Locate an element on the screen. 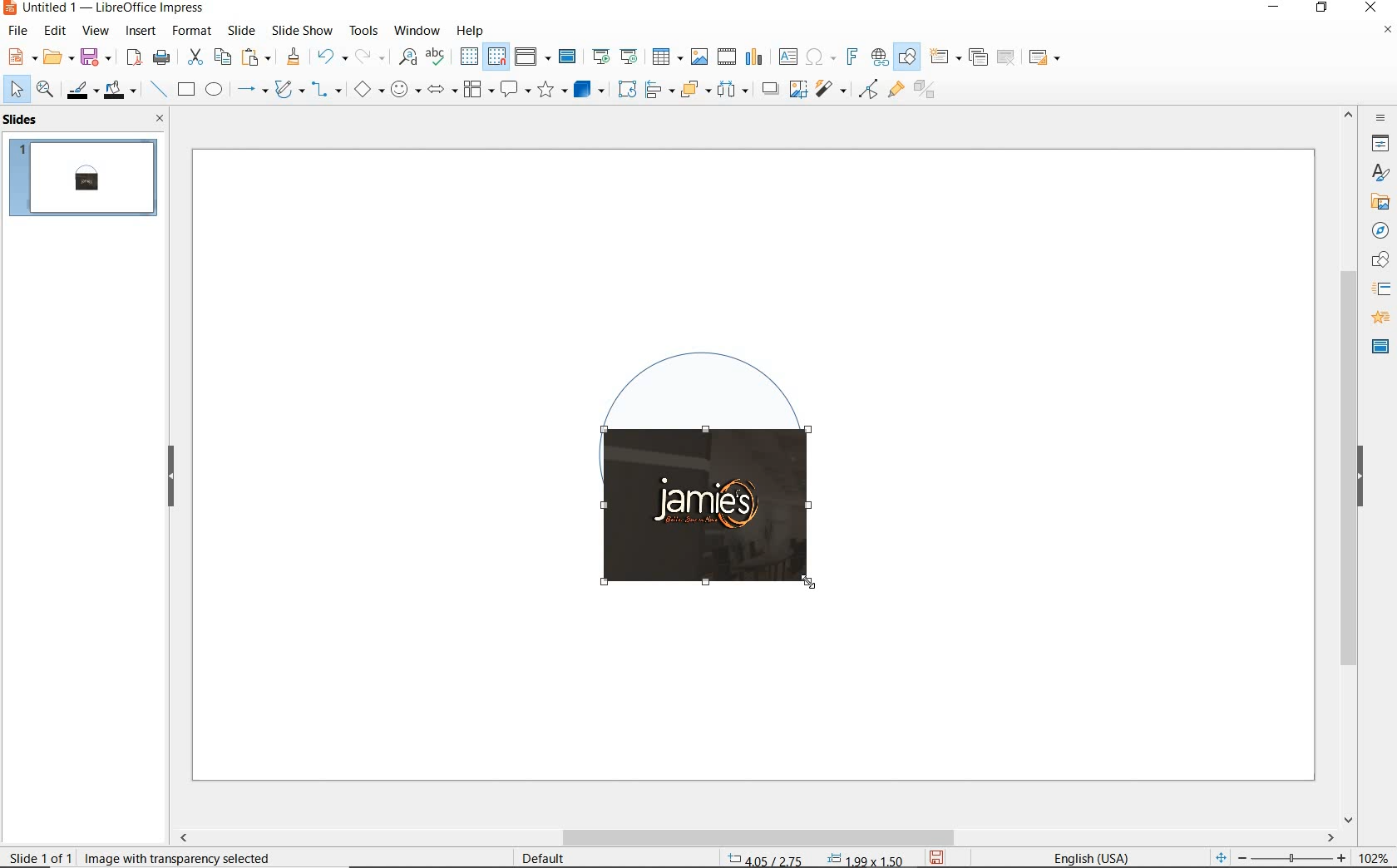  3d objects is located at coordinates (590, 90).